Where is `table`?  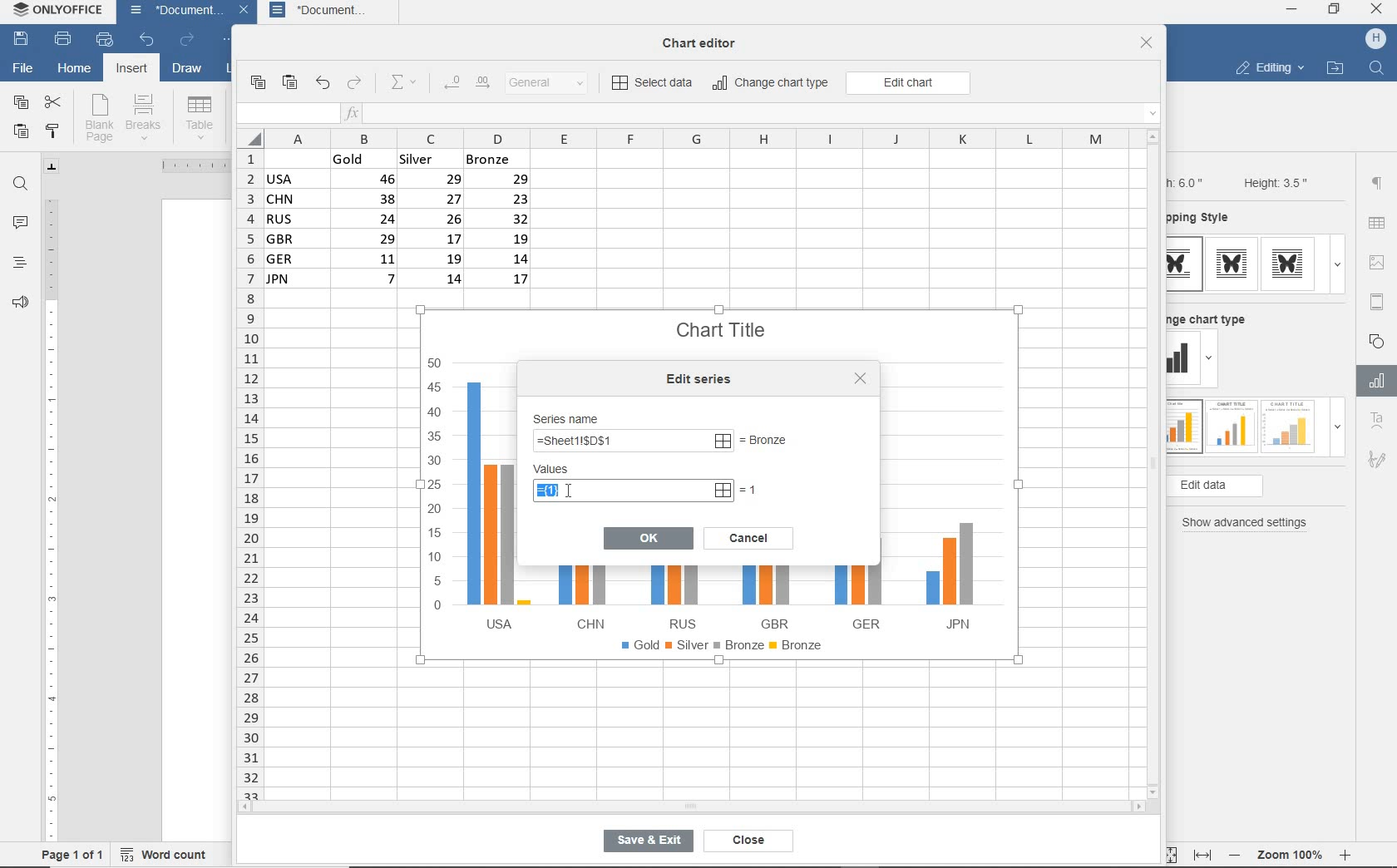
table is located at coordinates (1378, 224).